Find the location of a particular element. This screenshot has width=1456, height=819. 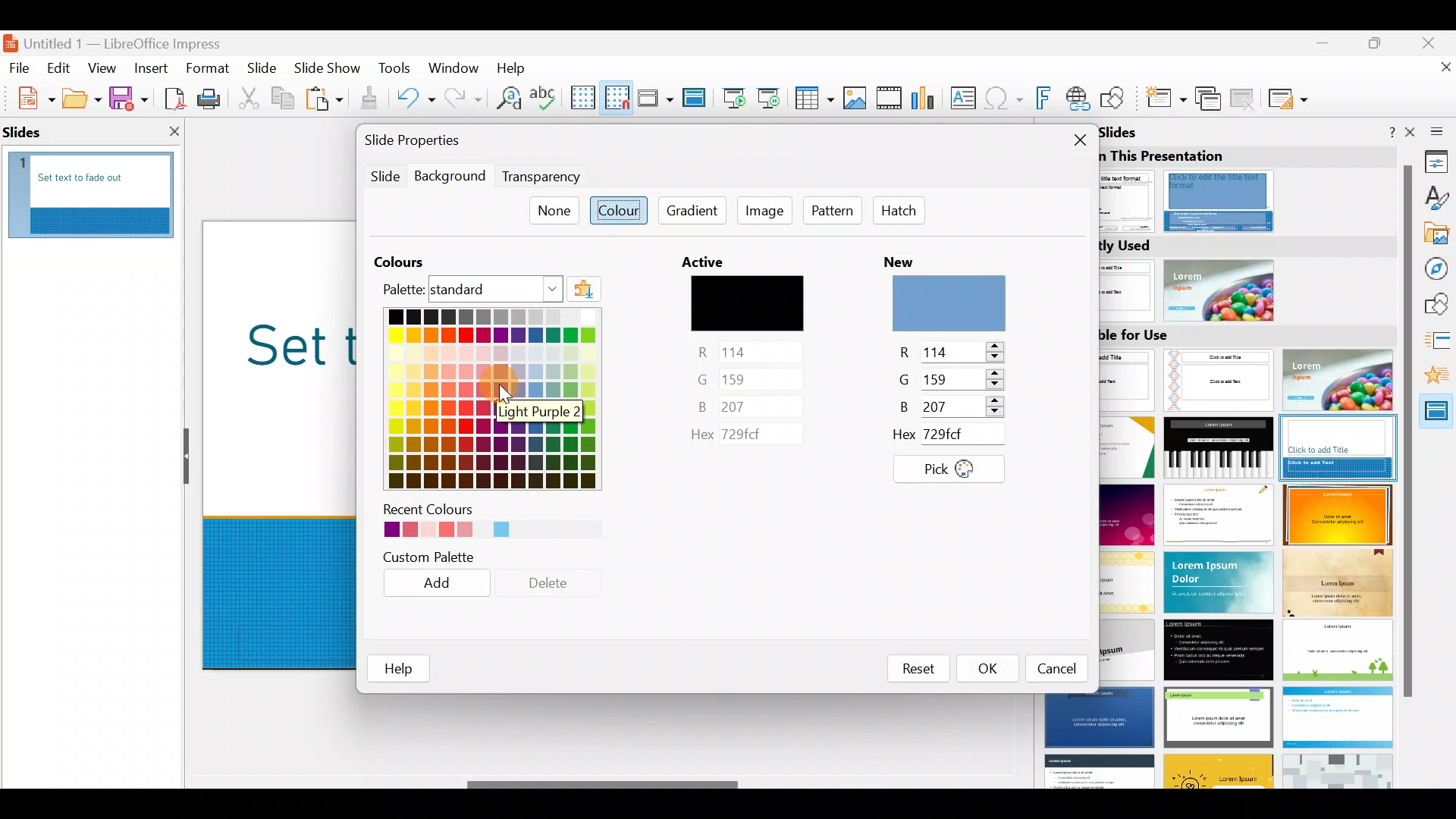

Close document is located at coordinates (1437, 74).